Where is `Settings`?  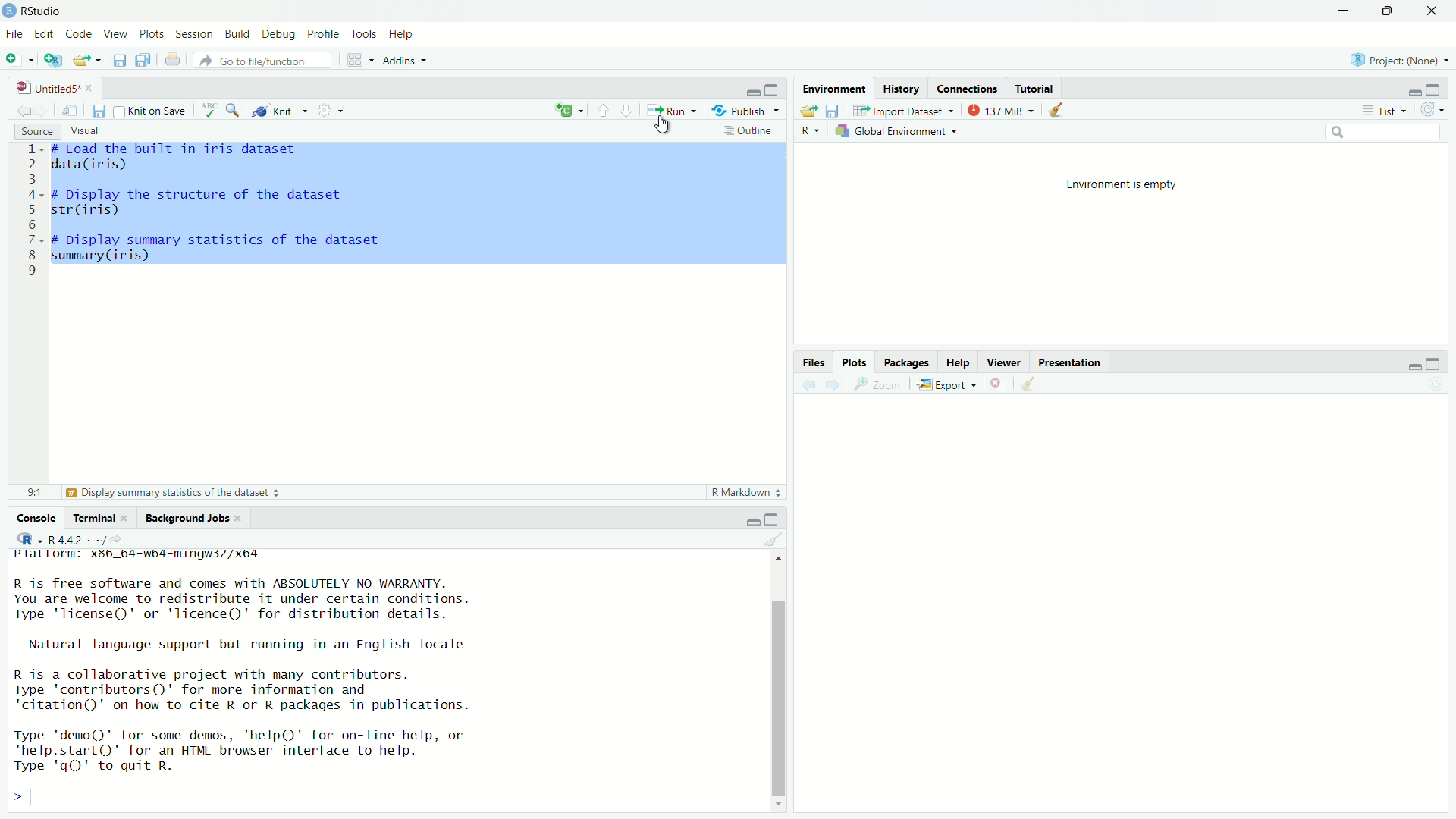 Settings is located at coordinates (335, 110).